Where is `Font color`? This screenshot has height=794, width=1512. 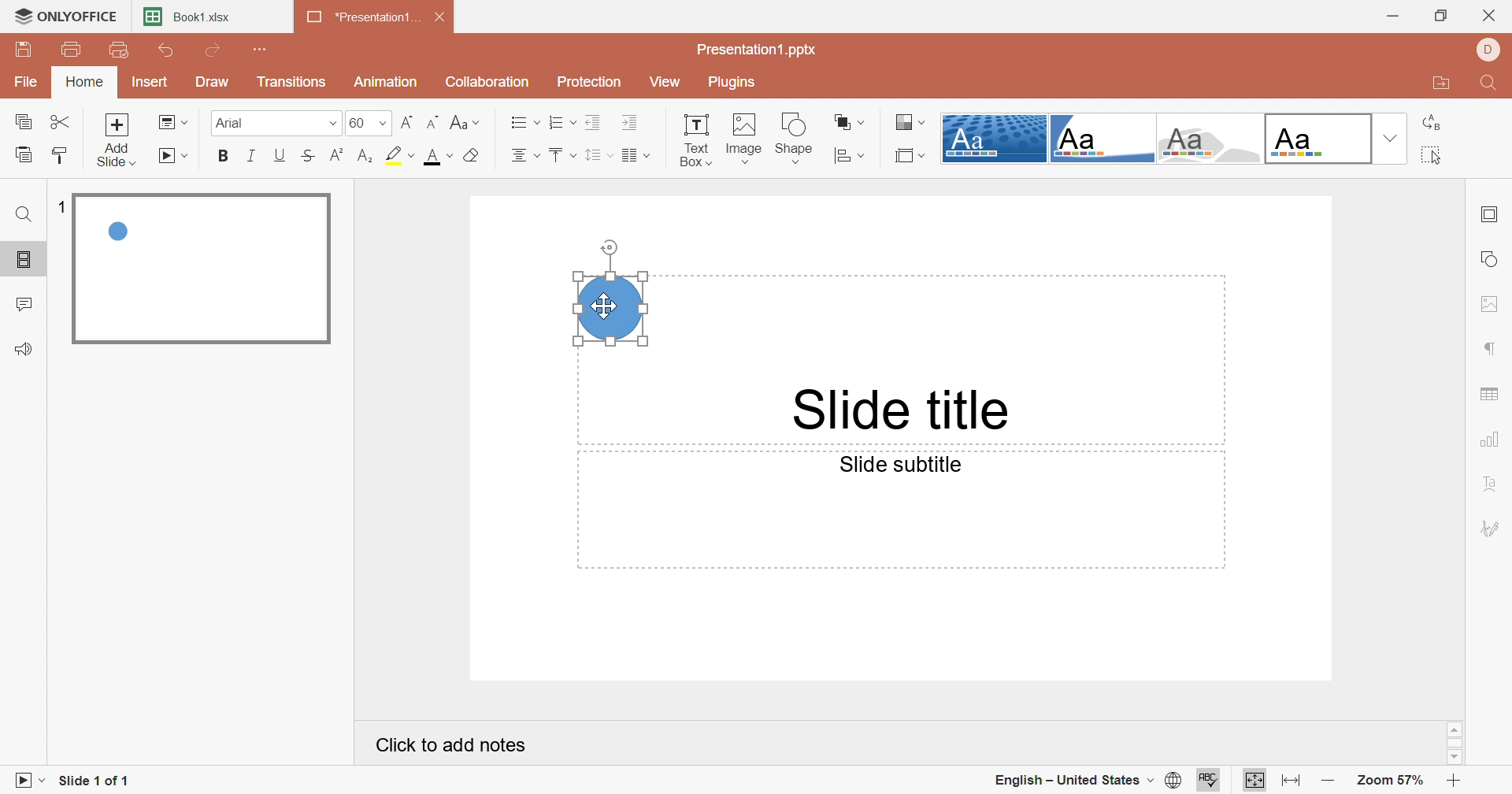
Font color is located at coordinates (435, 155).